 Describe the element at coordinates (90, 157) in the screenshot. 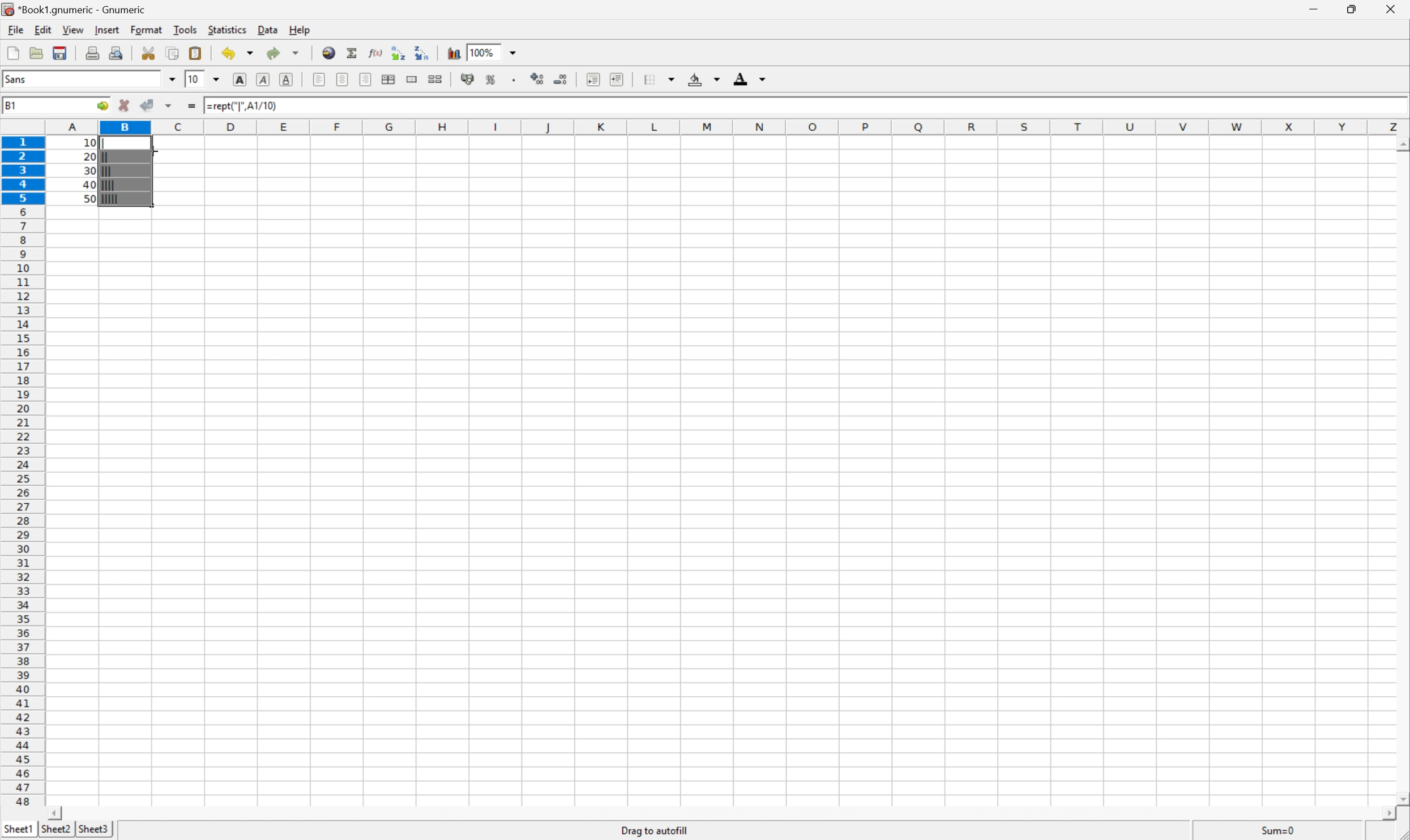

I see `20` at that location.